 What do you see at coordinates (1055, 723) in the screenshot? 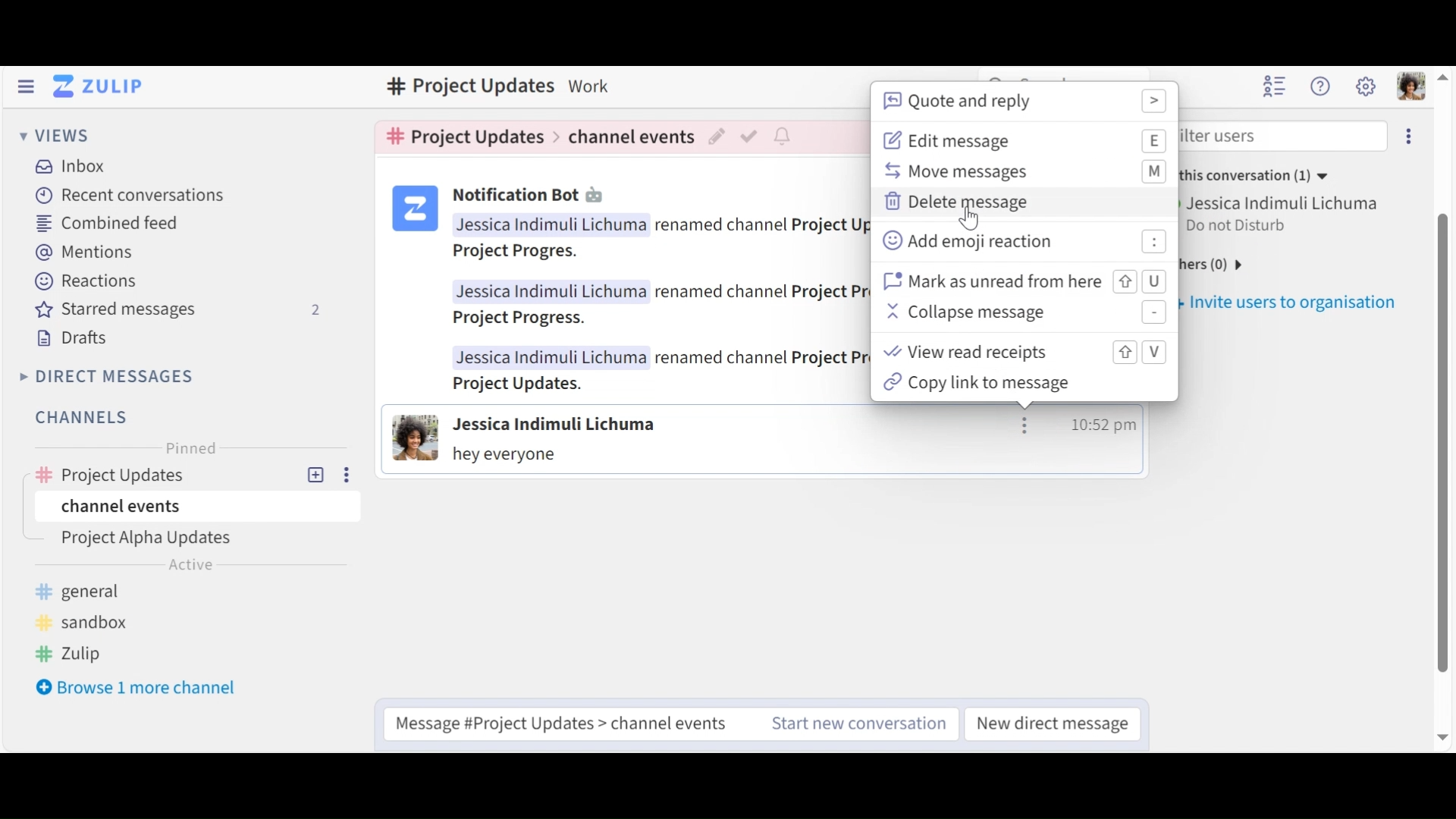
I see `New direct message` at bounding box center [1055, 723].